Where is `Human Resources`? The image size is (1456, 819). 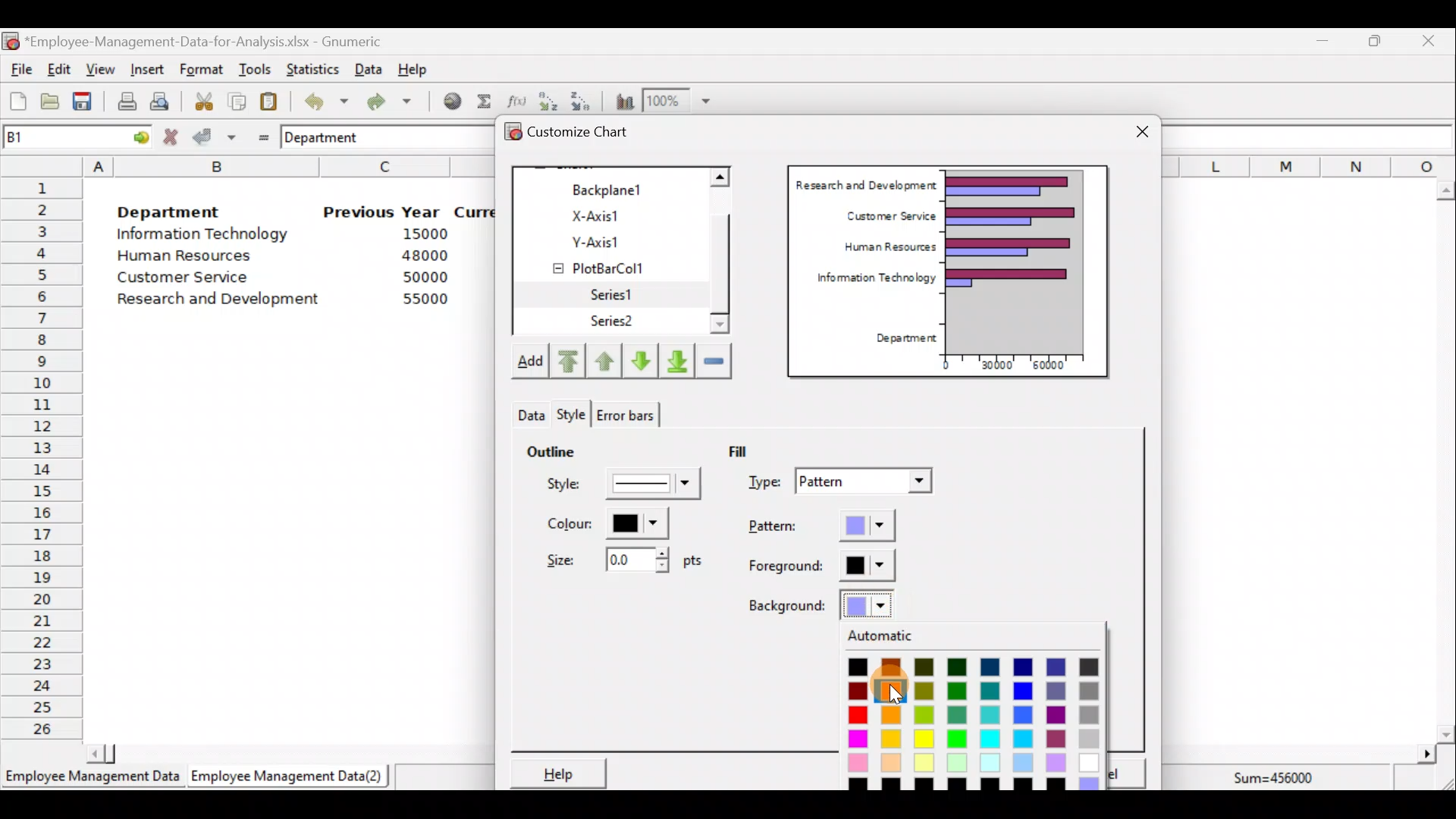 Human Resources is located at coordinates (883, 248).